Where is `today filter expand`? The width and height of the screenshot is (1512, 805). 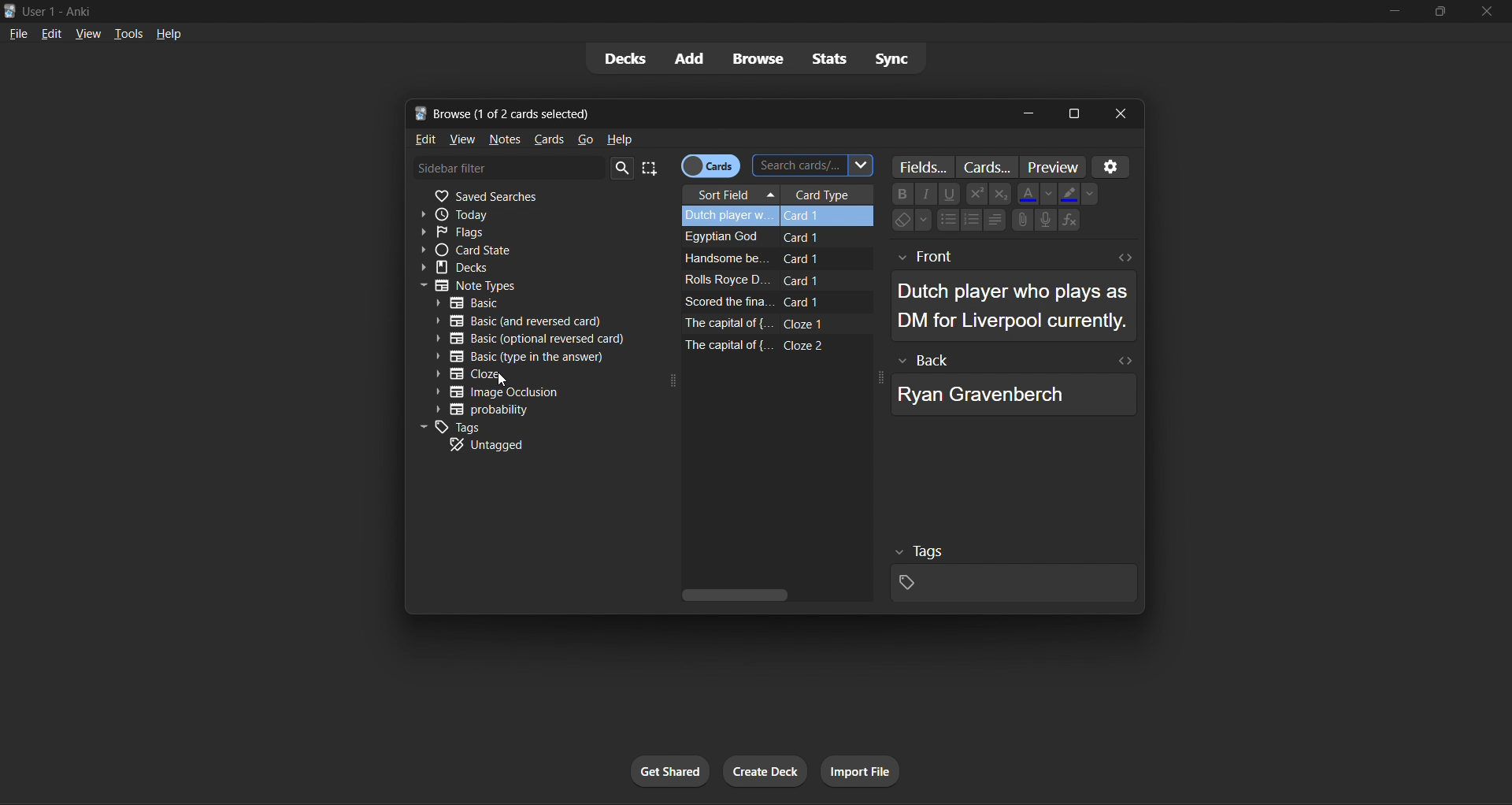
today filter expand is located at coordinates (543, 213).